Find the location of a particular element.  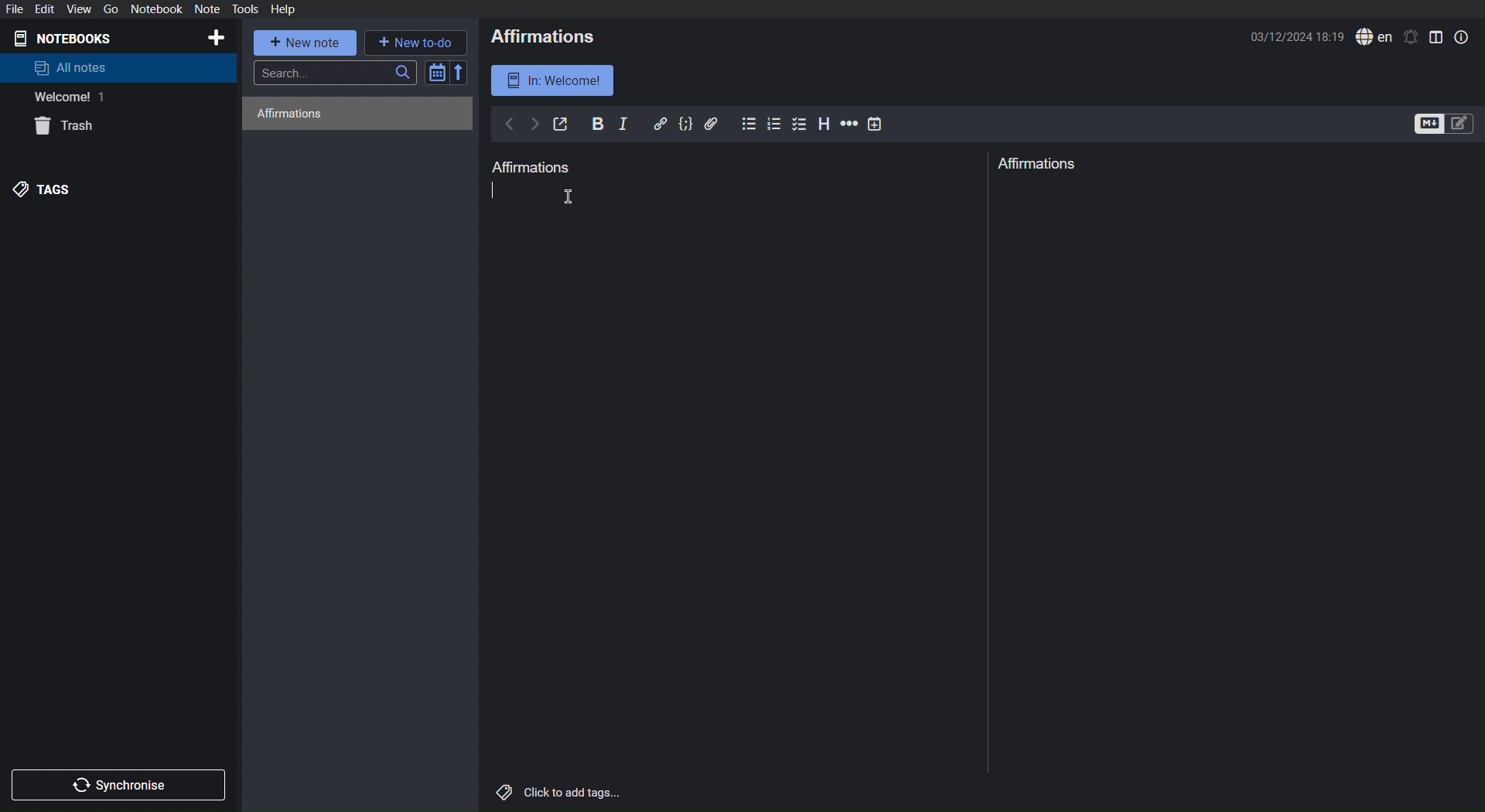

Notebook is located at coordinates (156, 9).